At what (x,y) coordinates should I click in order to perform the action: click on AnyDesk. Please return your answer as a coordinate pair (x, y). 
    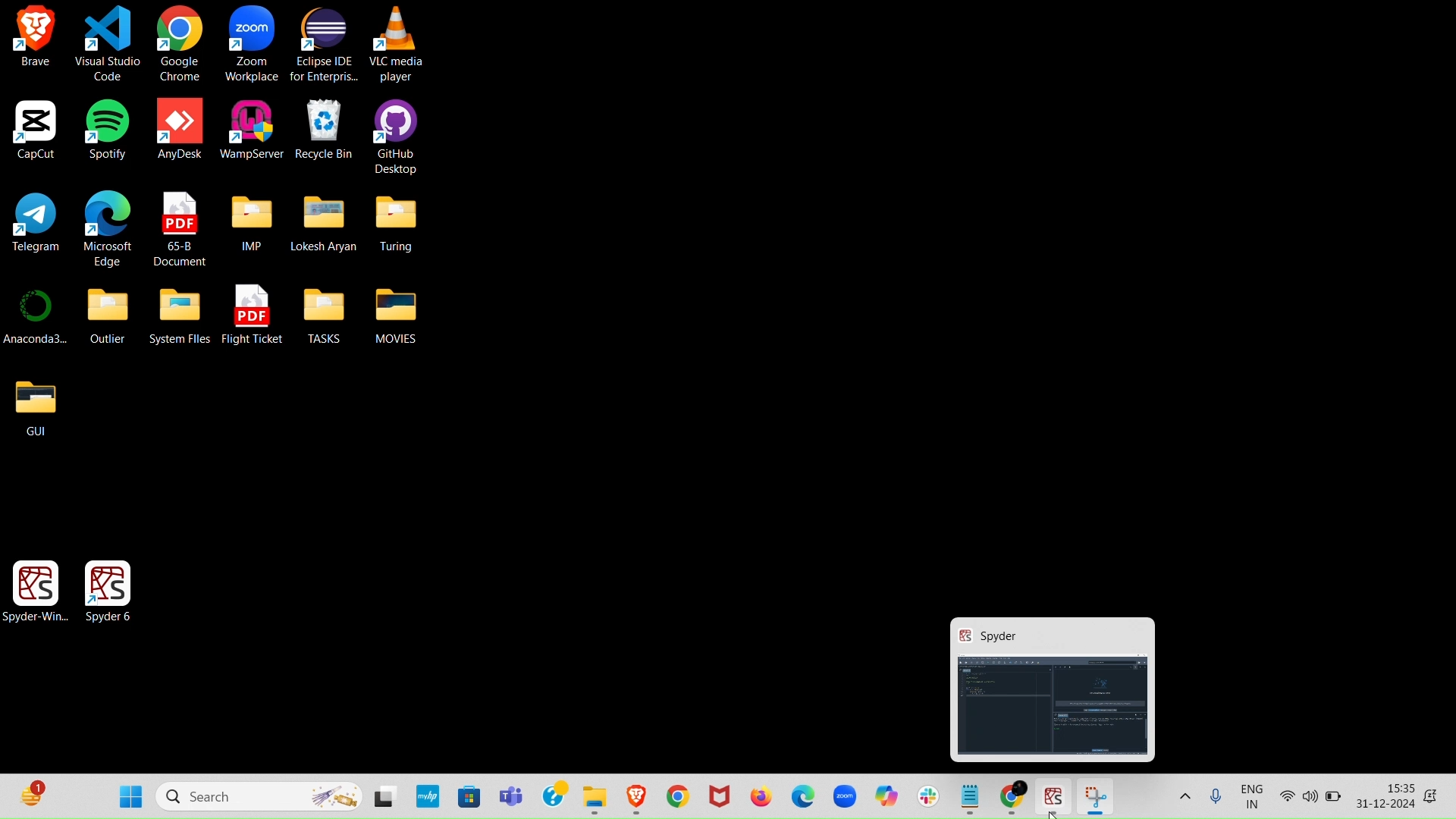
    Looking at the image, I should click on (180, 129).